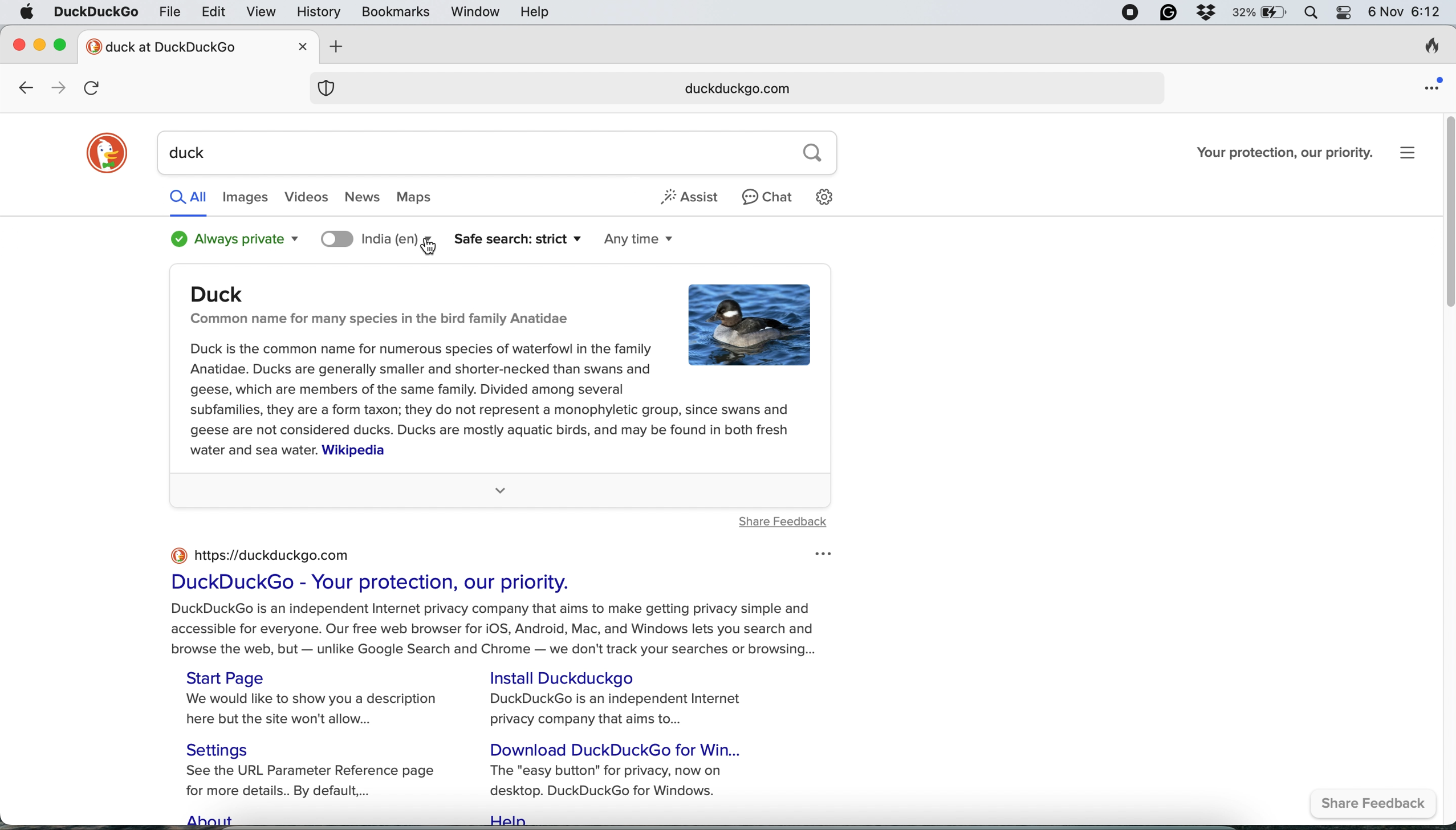 This screenshot has width=1456, height=830. I want to click on help, so click(537, 12).